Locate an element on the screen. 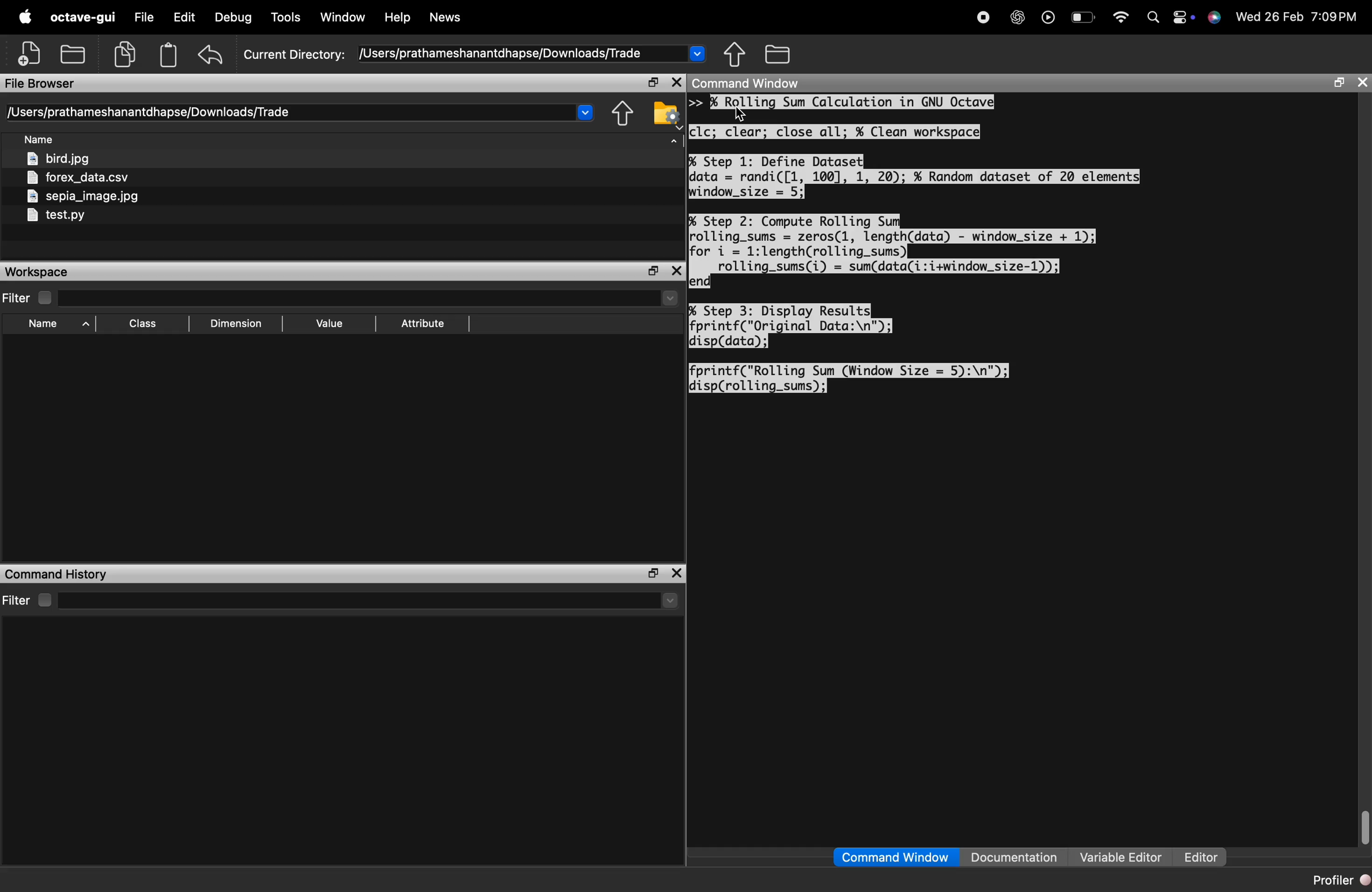 The height and width of the screenshot is (892, 1372). undo is located at coordinates (212, 54).